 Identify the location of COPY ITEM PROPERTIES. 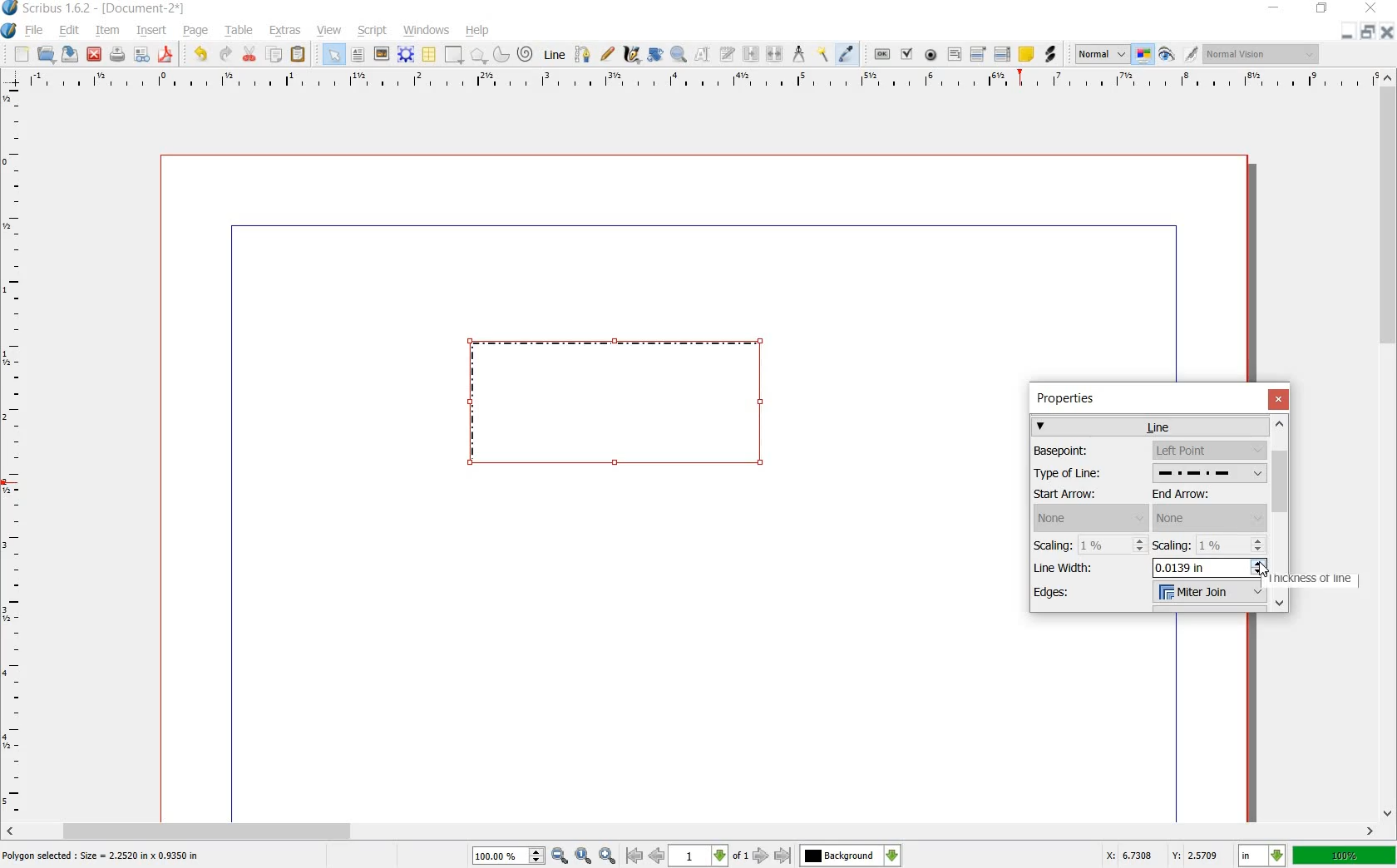
(822, 55).